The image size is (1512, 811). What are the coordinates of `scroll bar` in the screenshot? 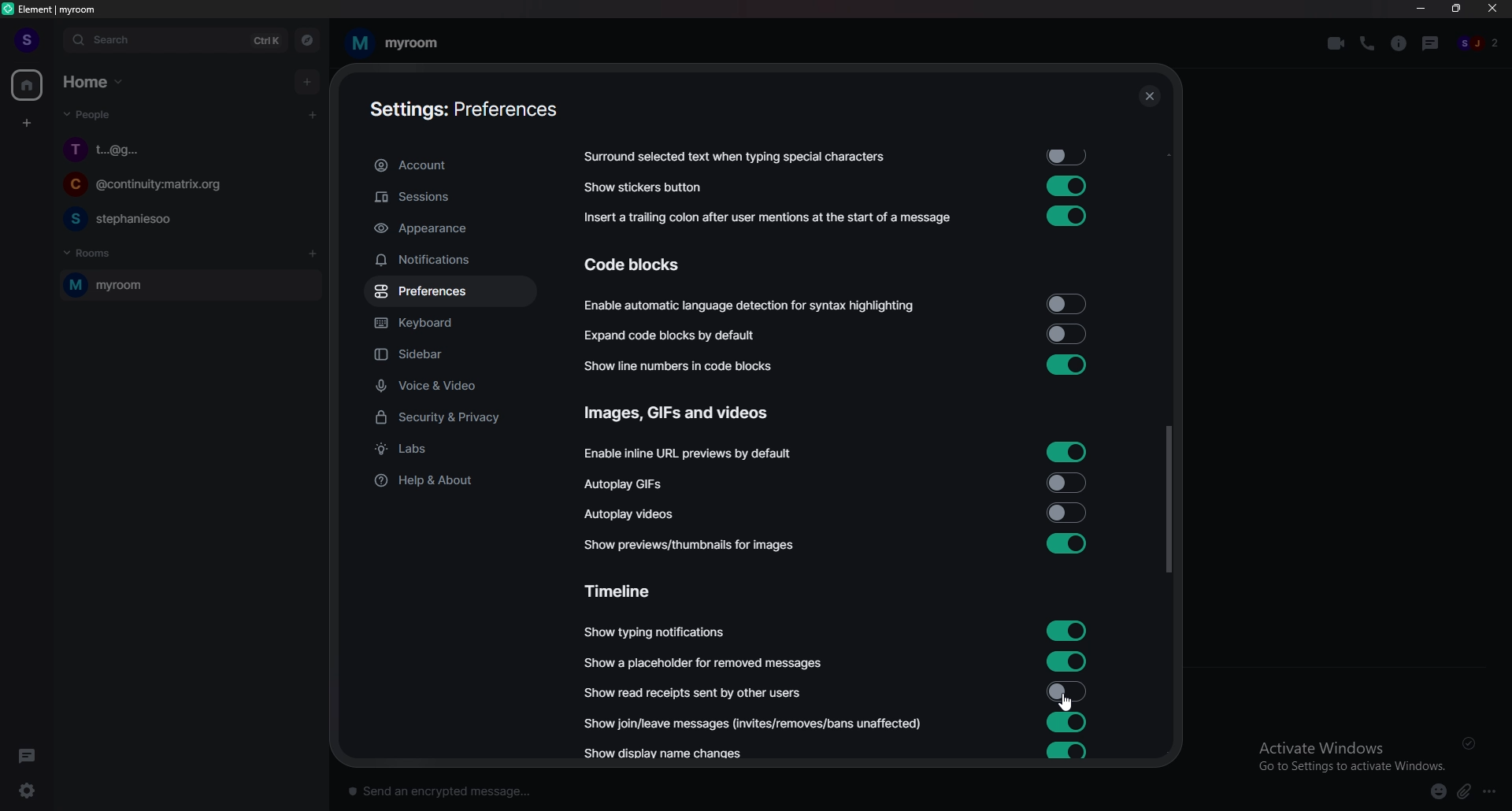 It's located at (1168, 499).